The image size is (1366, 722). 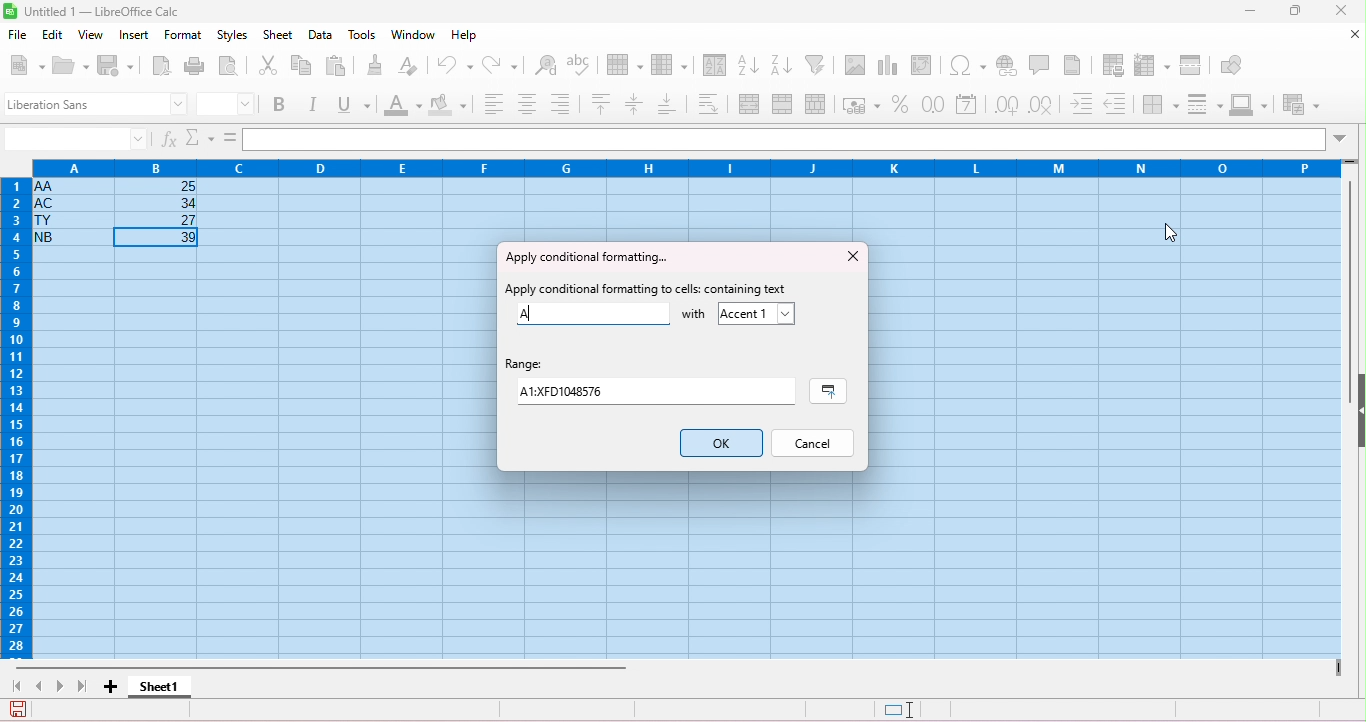 What do you see at coordinates (1357, 409) in the screenshot?
I see `hide` at bounding box center [1357, 409].